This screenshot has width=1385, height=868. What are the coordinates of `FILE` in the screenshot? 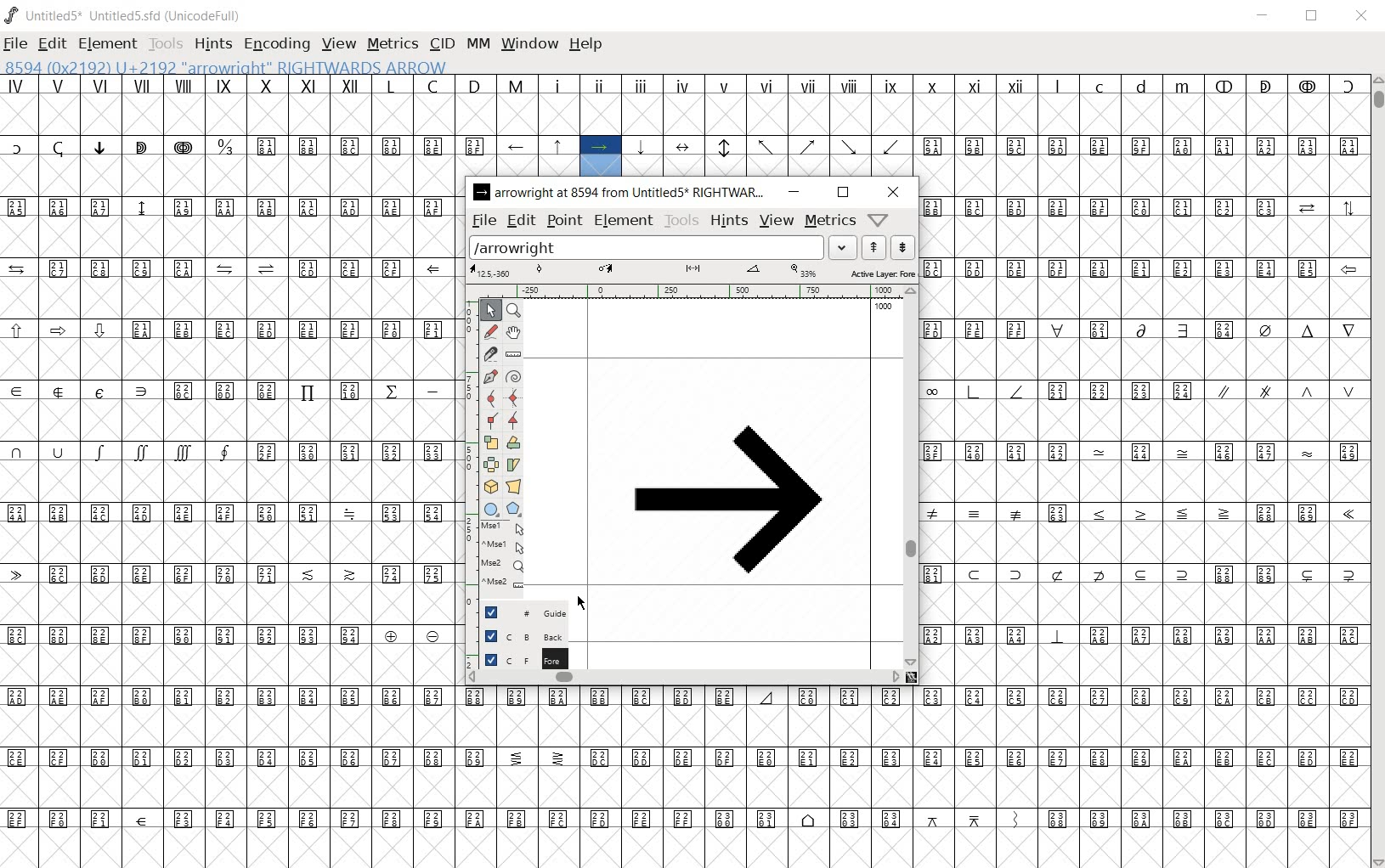 It's located at (16, 42).